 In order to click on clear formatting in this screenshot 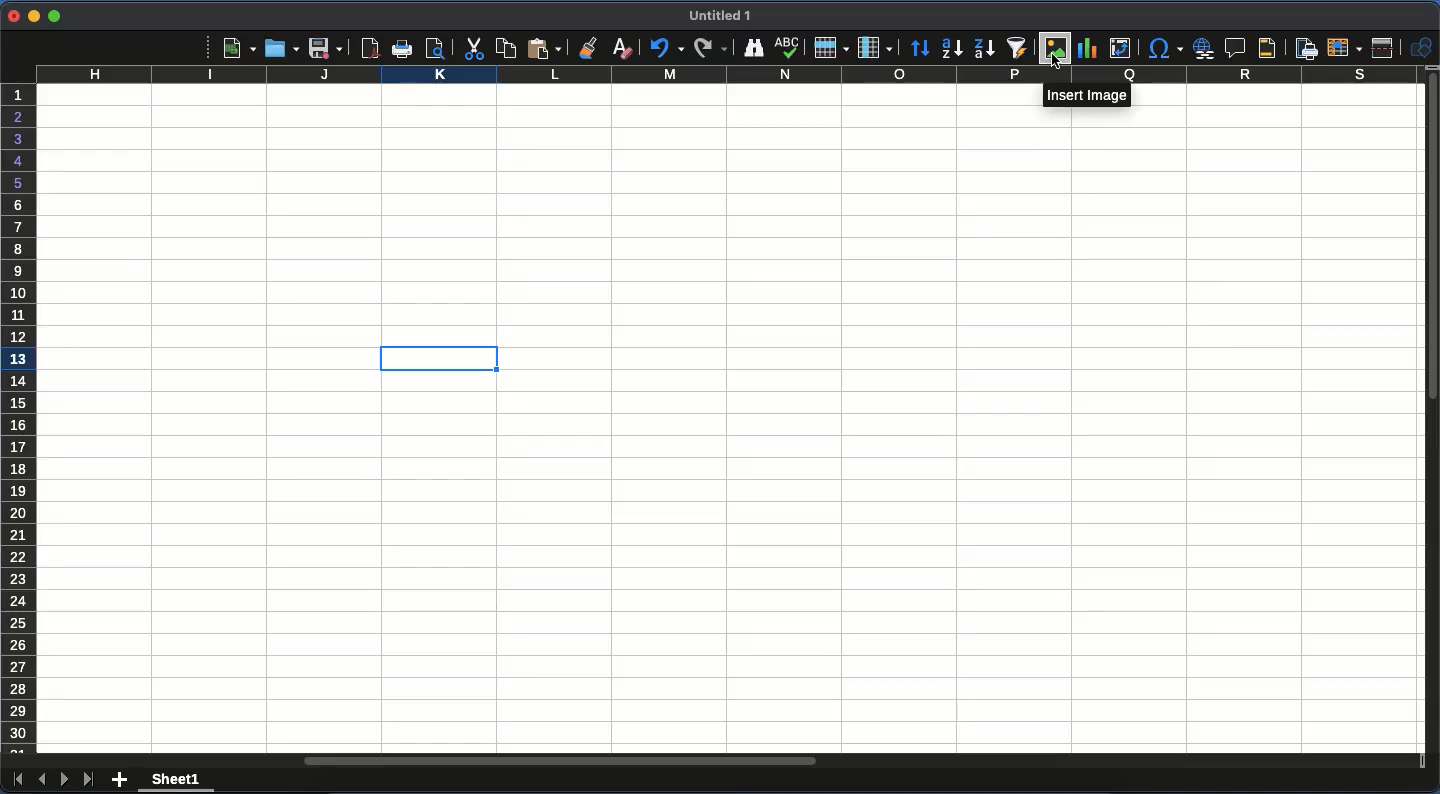, I will do `click(619, 47)`.